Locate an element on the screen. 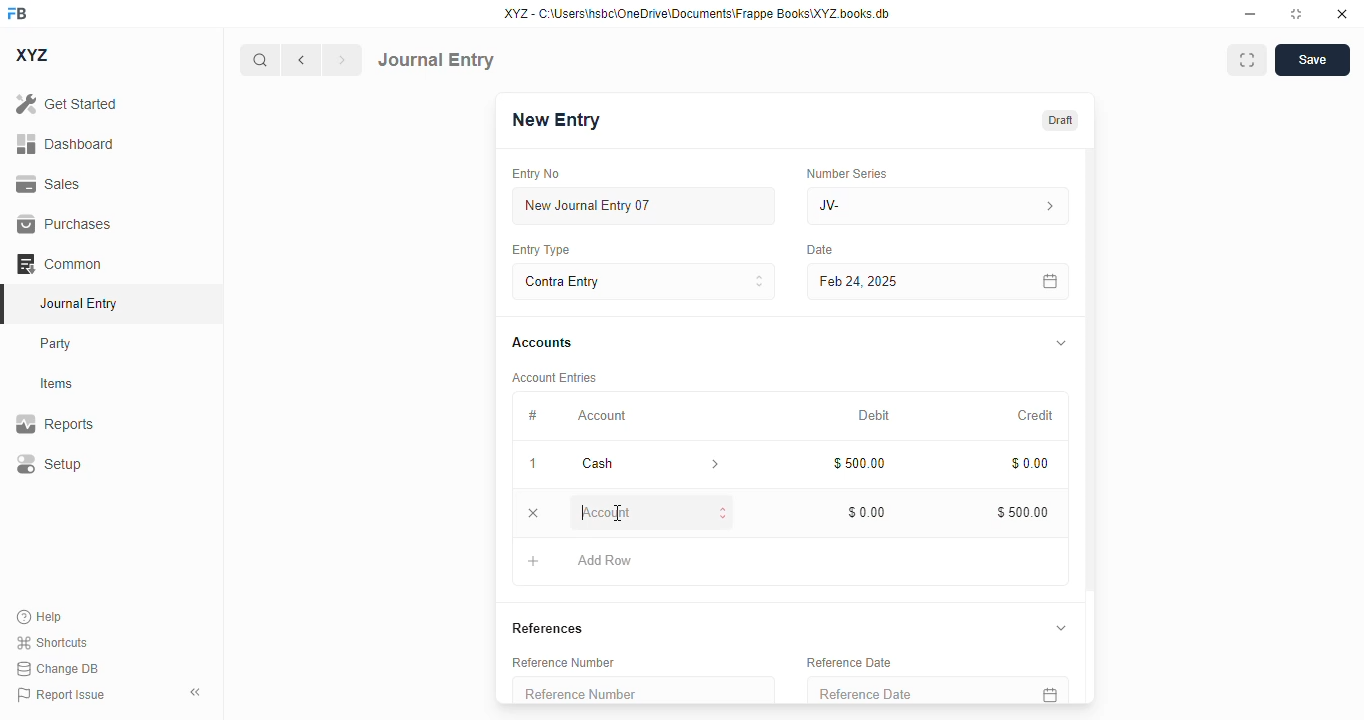 Image resolution: width=1364 pixels, height=720 pixels. setup is located at coordinates (49, 463).